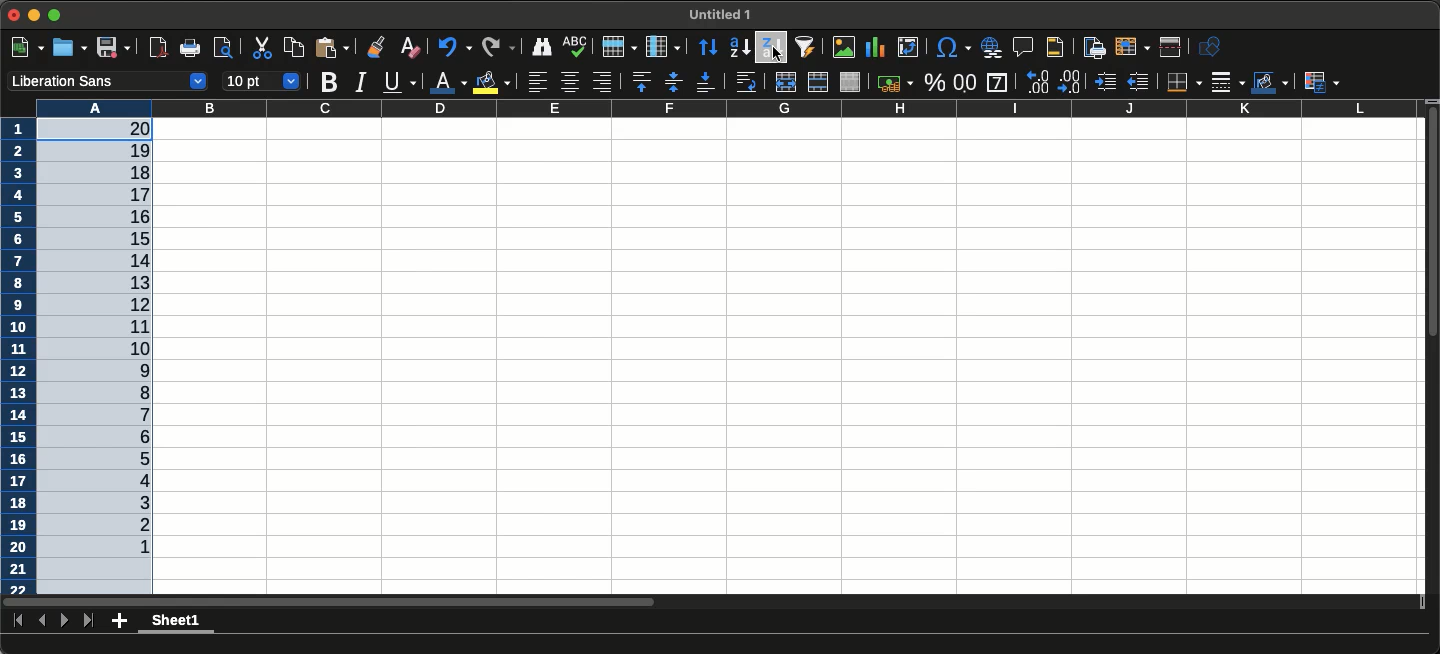 Image resolution: width=1440 pixels, height=654 pixels. I want to click on Toggle print preview, so click(222, 48).